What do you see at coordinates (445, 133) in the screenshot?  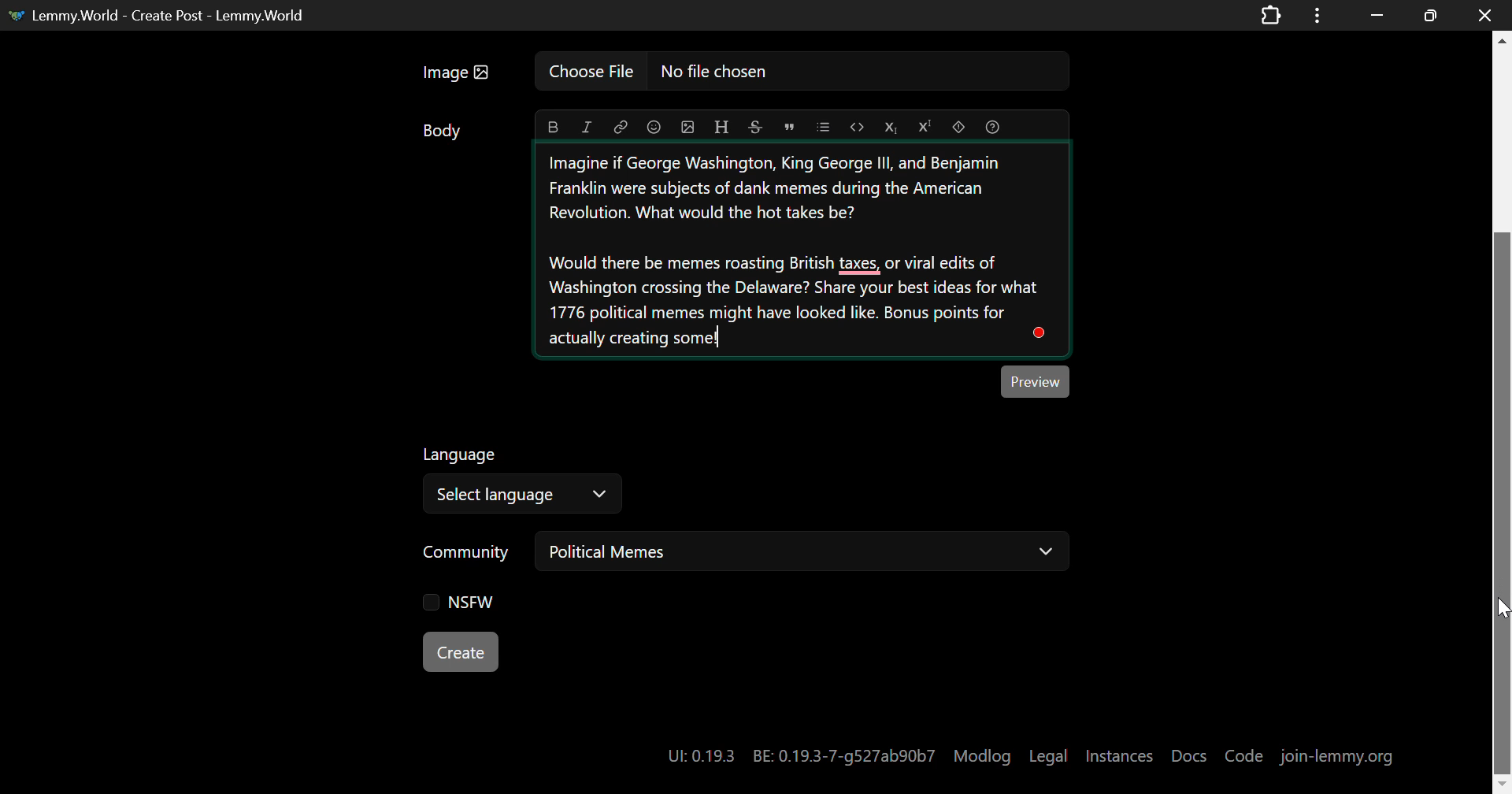 I see `Body` at bounding box center [445, 133].